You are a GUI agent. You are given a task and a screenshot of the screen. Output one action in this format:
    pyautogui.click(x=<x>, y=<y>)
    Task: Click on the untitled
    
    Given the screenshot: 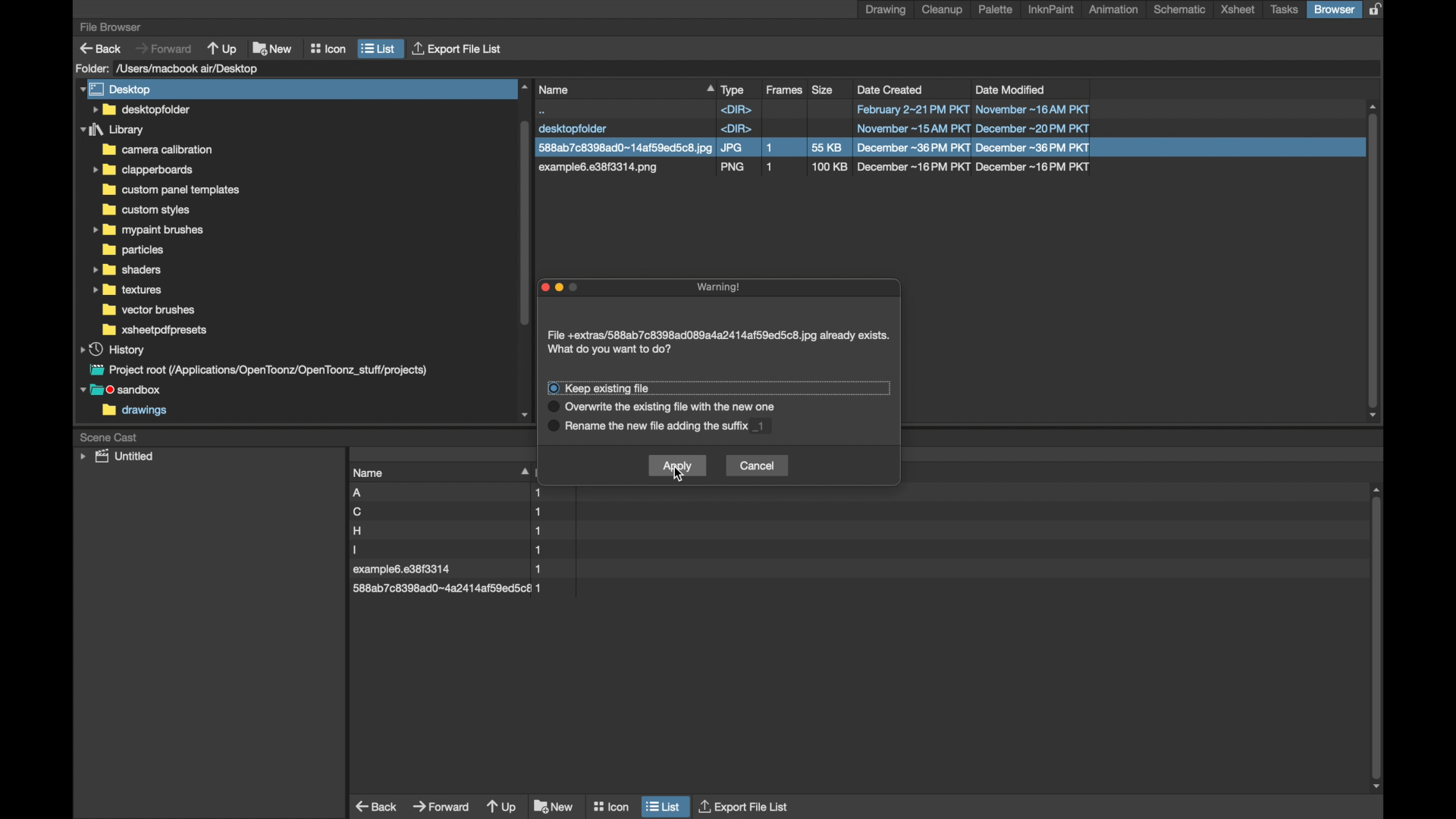 What is the action you would take?
    pyautogui.click(x=117, y=457)
    